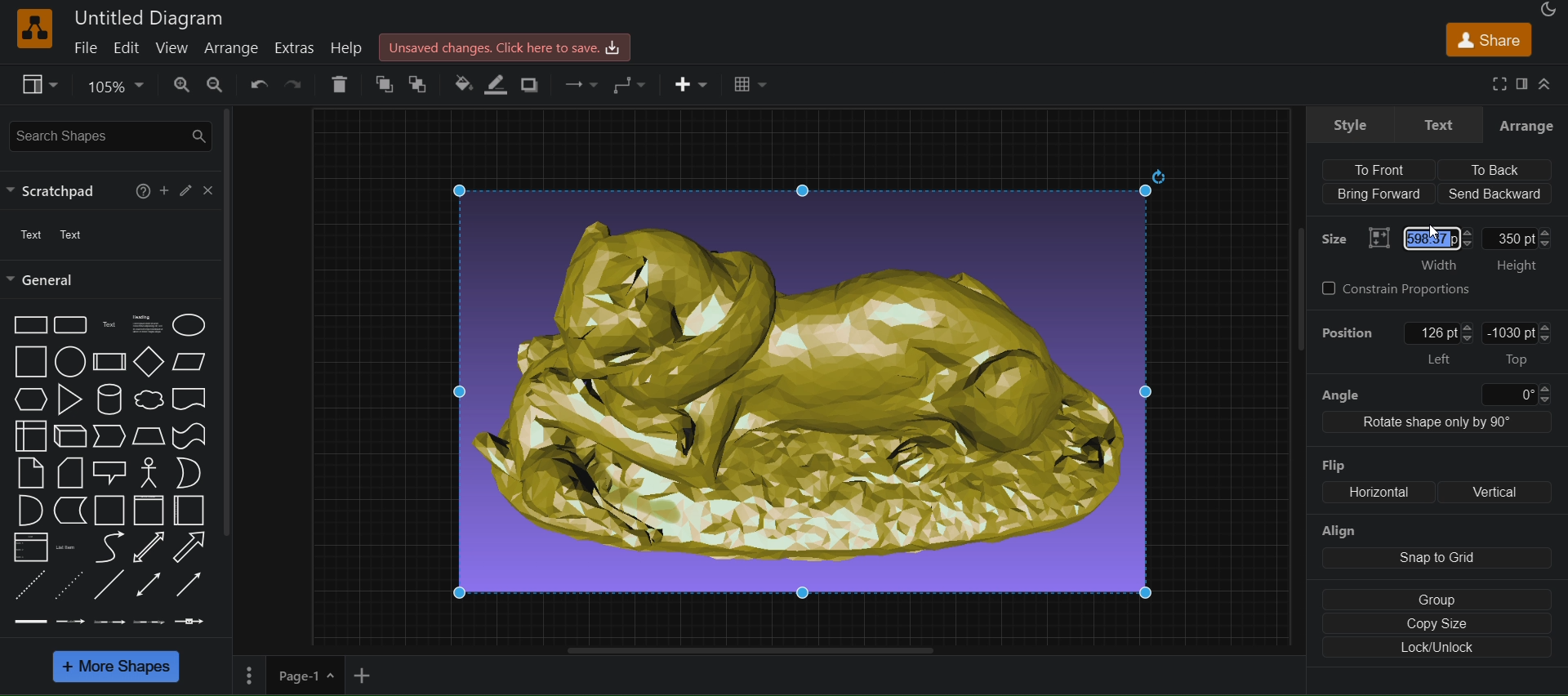  I want to click on line color, so click(498, 86).